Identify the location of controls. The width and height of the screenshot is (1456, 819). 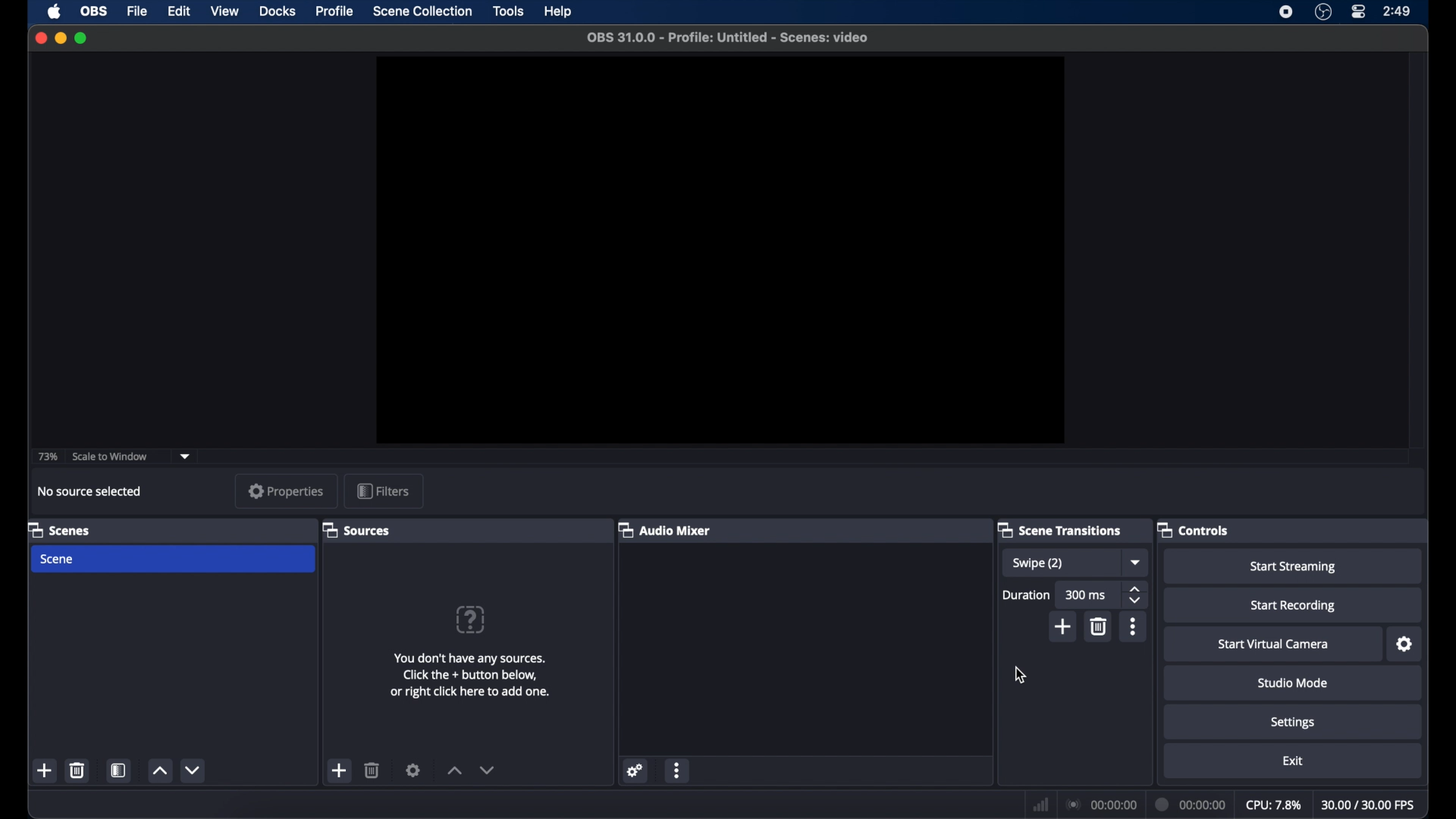
(1195, 531).